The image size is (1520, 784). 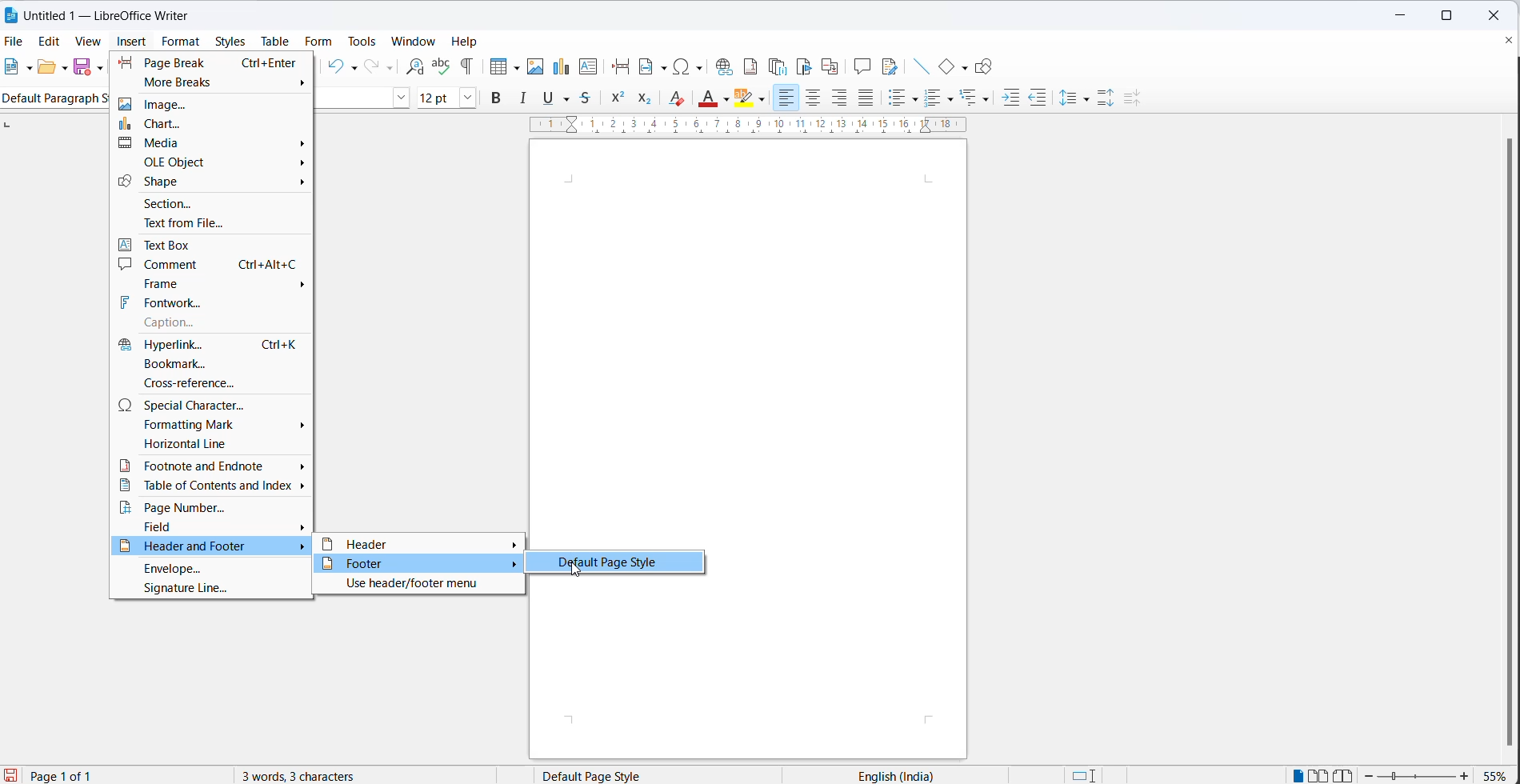 What do you see at coordinates (524, 99) in the screenshot?
I see `italic` at bounding box center [524, 99].